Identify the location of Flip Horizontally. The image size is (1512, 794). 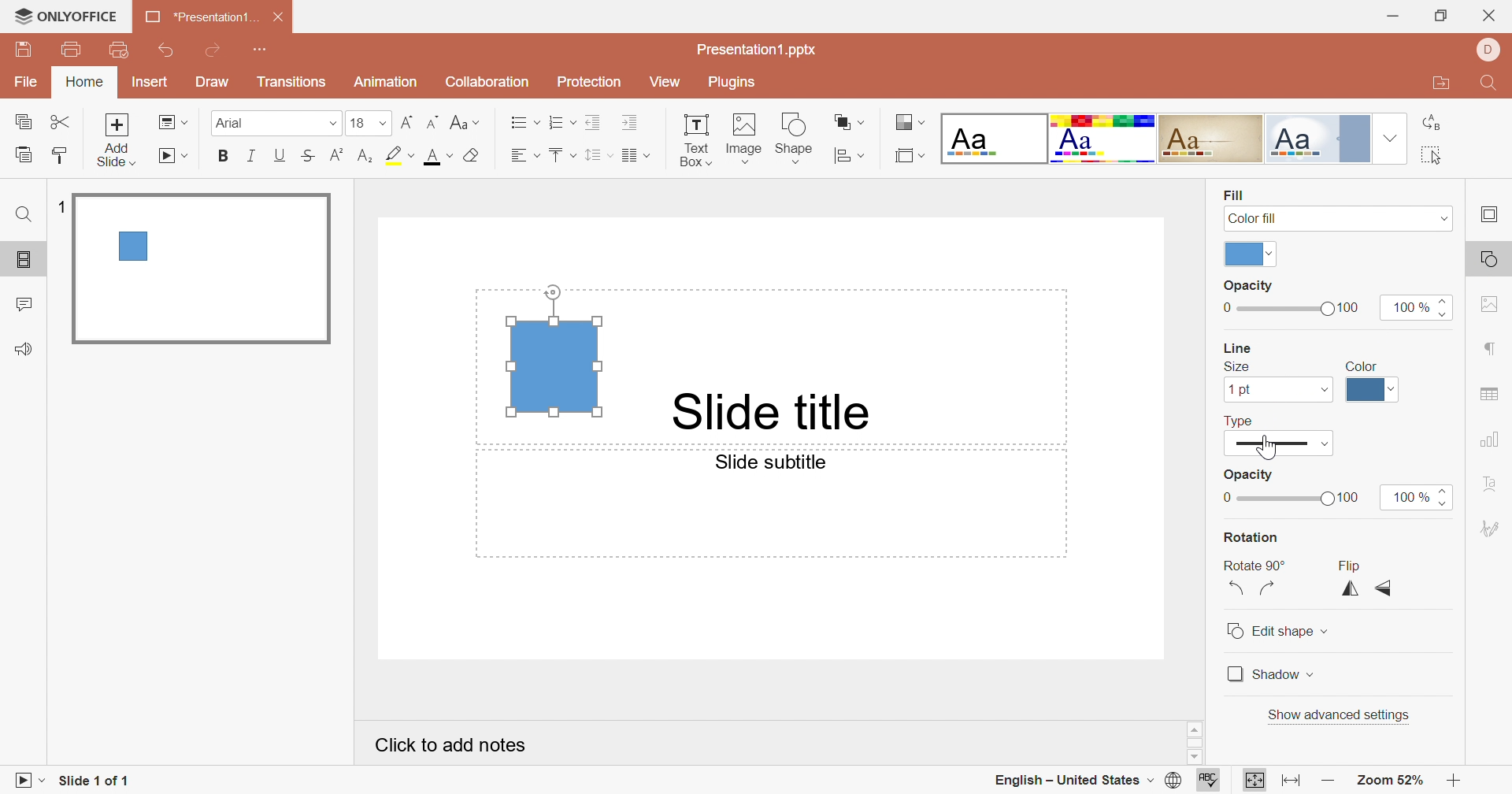
(1346, 591).